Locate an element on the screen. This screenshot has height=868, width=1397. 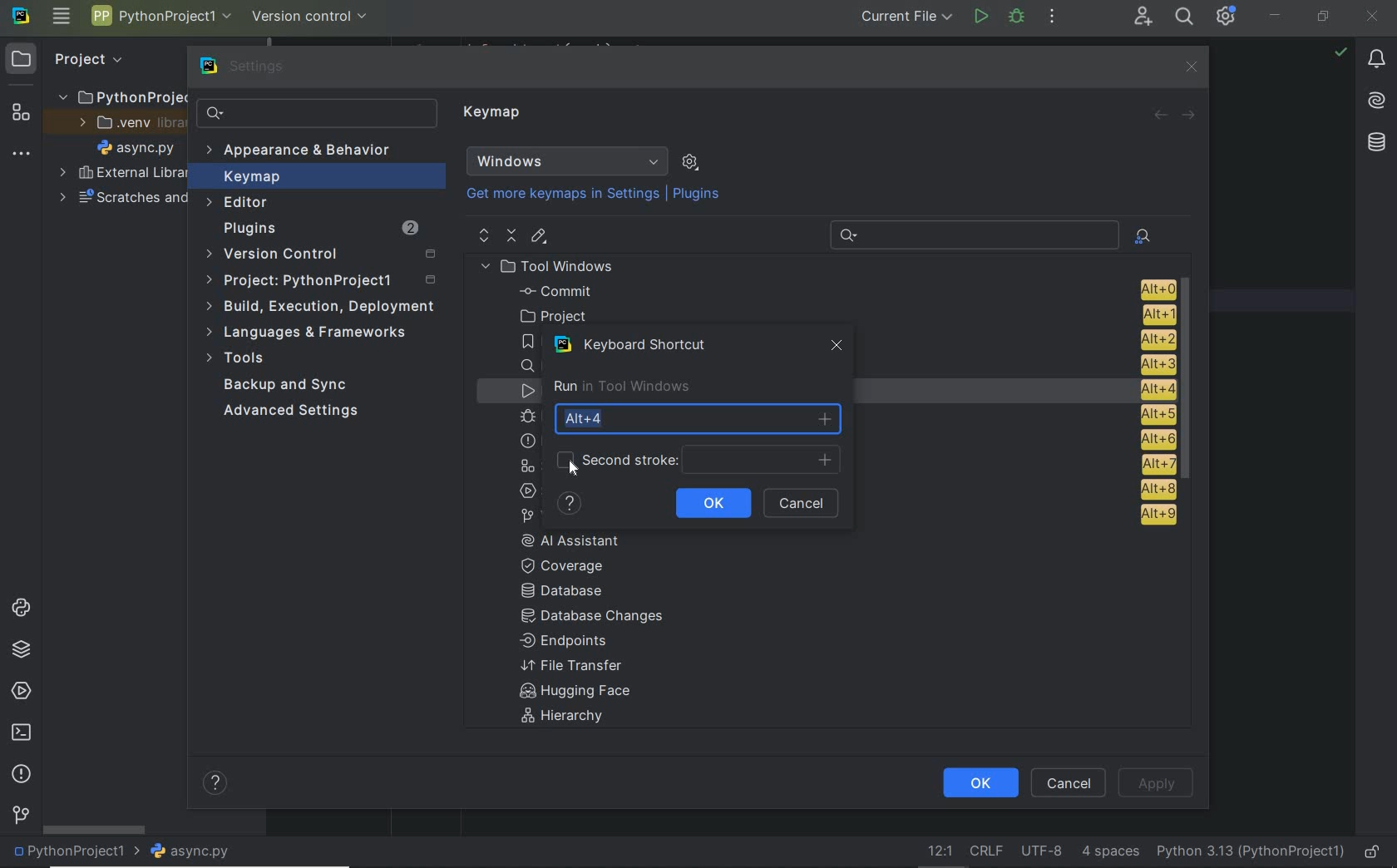
close is located at coordinates (1374, 15).